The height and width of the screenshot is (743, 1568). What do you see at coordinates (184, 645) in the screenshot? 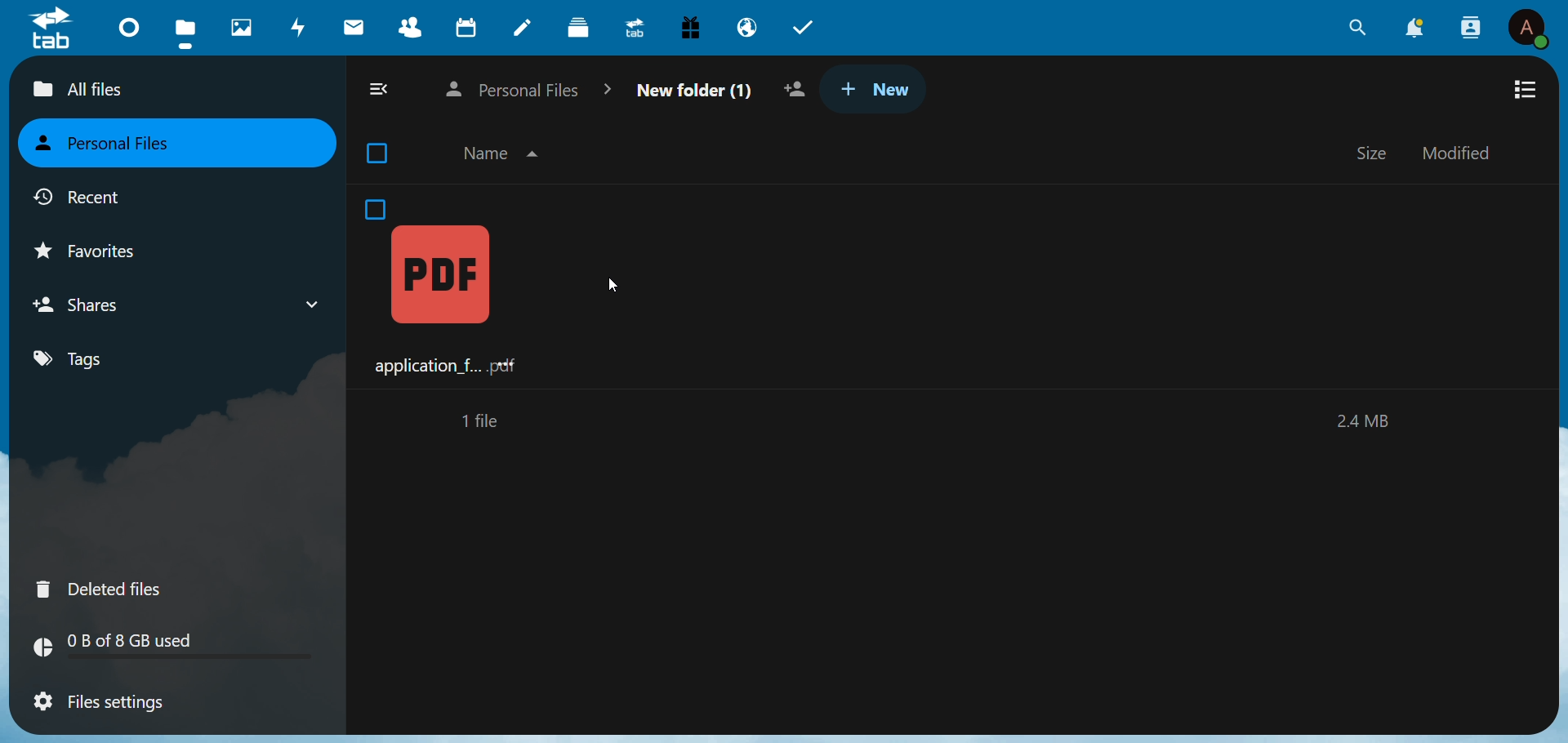
I see `memory` at bounding box center [184, 645].